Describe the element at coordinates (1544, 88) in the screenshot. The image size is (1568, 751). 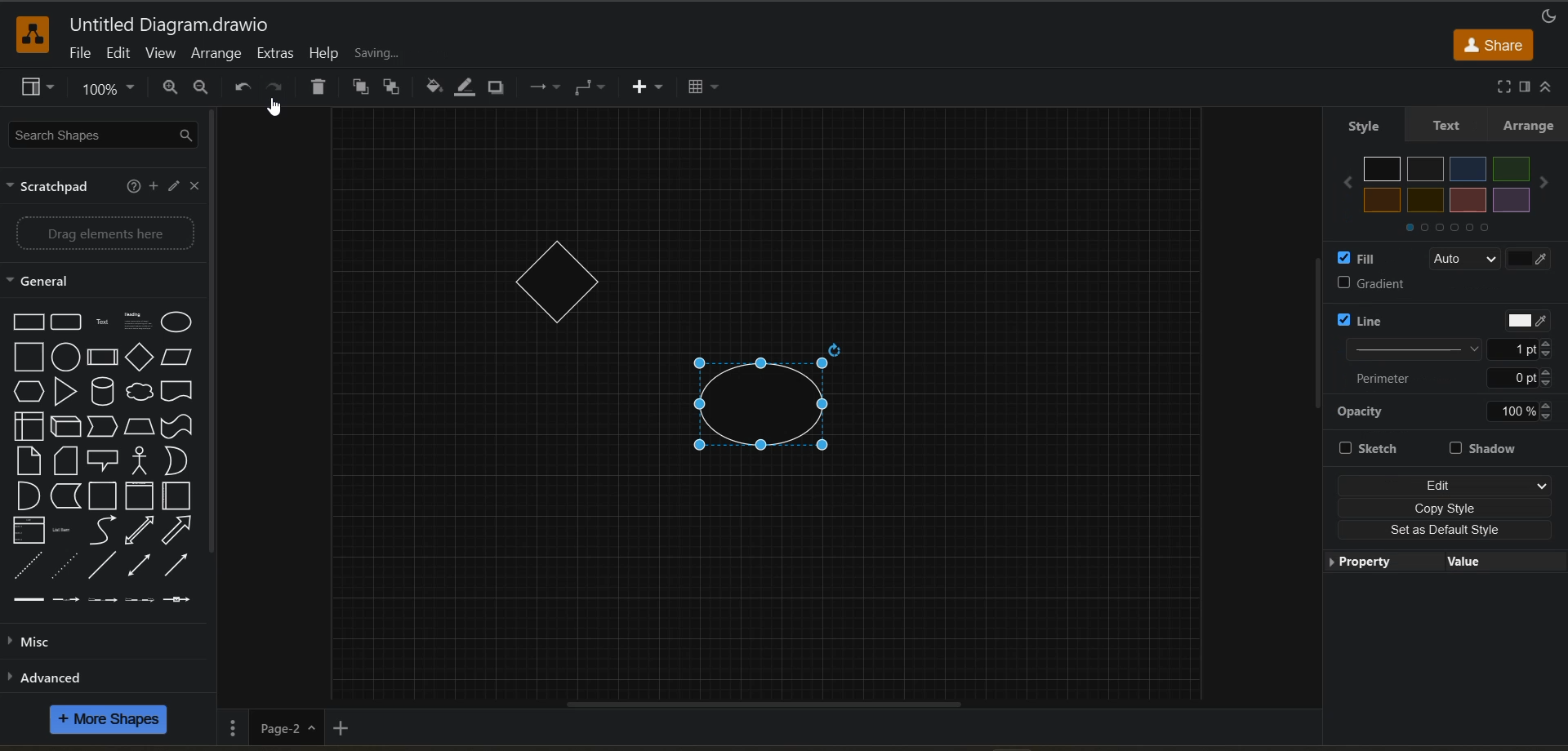
I see `expand/collapse` at that location.